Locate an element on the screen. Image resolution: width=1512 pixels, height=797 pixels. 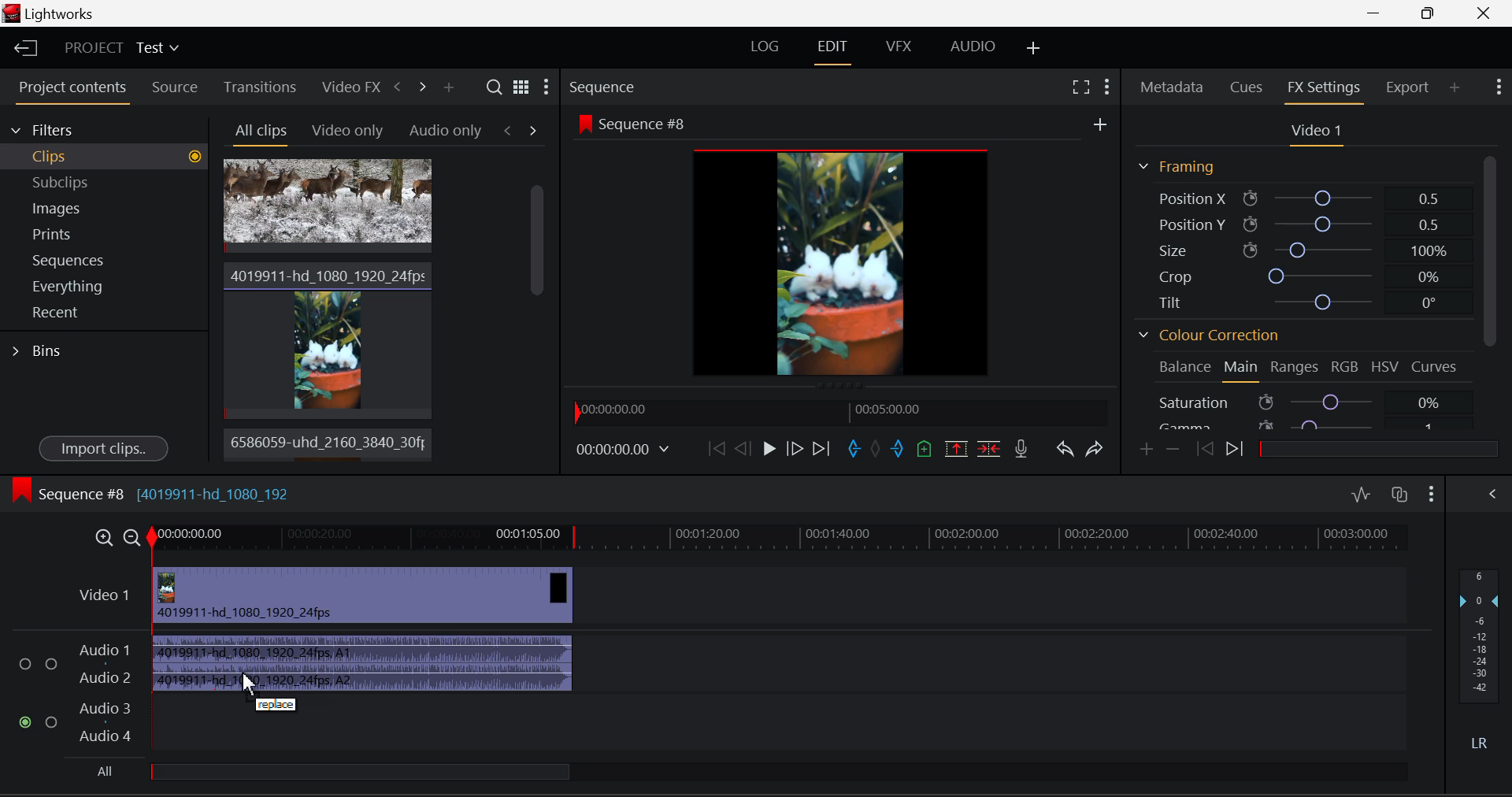
Minimize is located at coordinates (1431, 13).